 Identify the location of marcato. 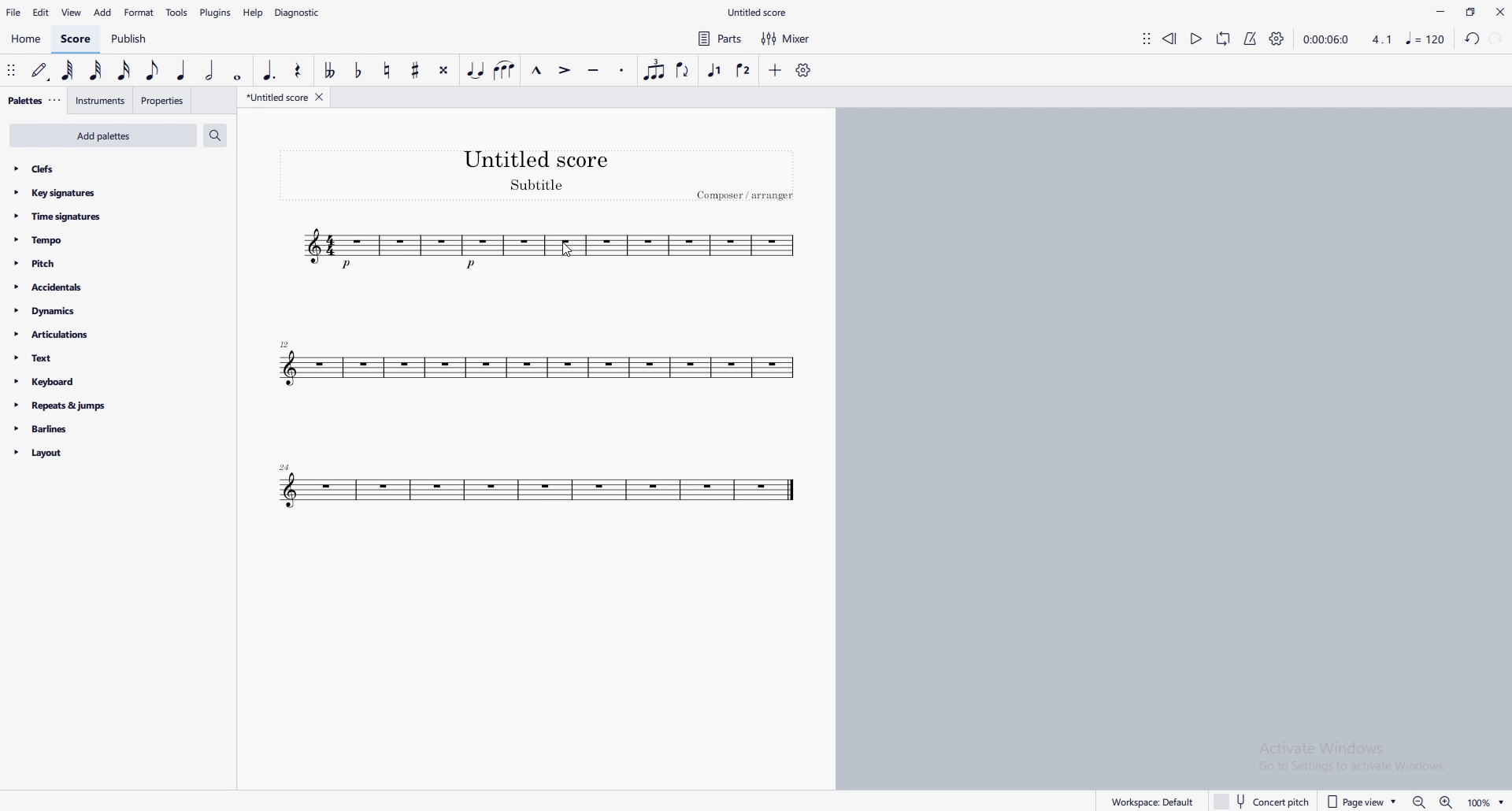
(538, 69).